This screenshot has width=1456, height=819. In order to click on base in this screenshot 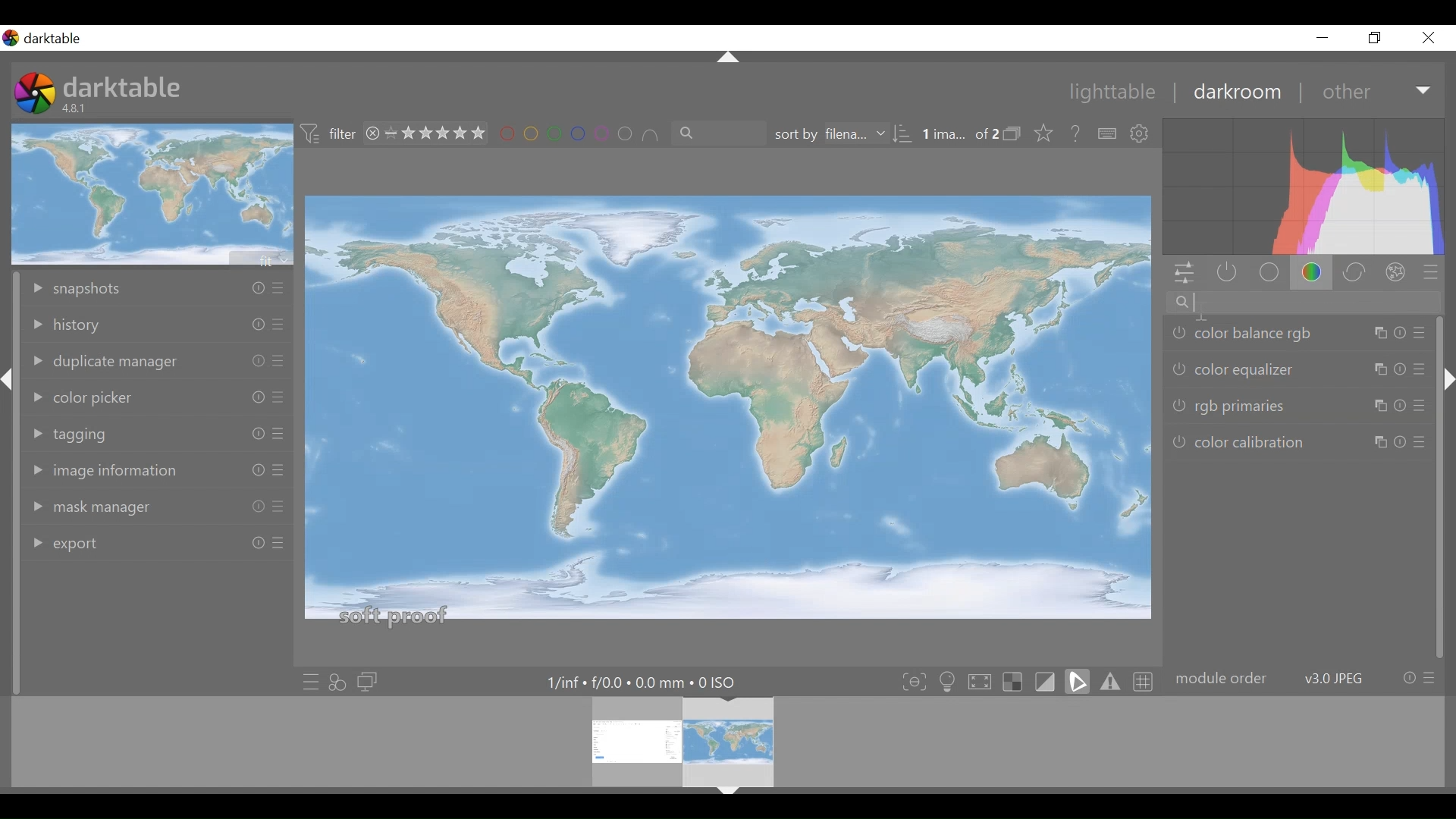, I will do `click(1271, 274)`.